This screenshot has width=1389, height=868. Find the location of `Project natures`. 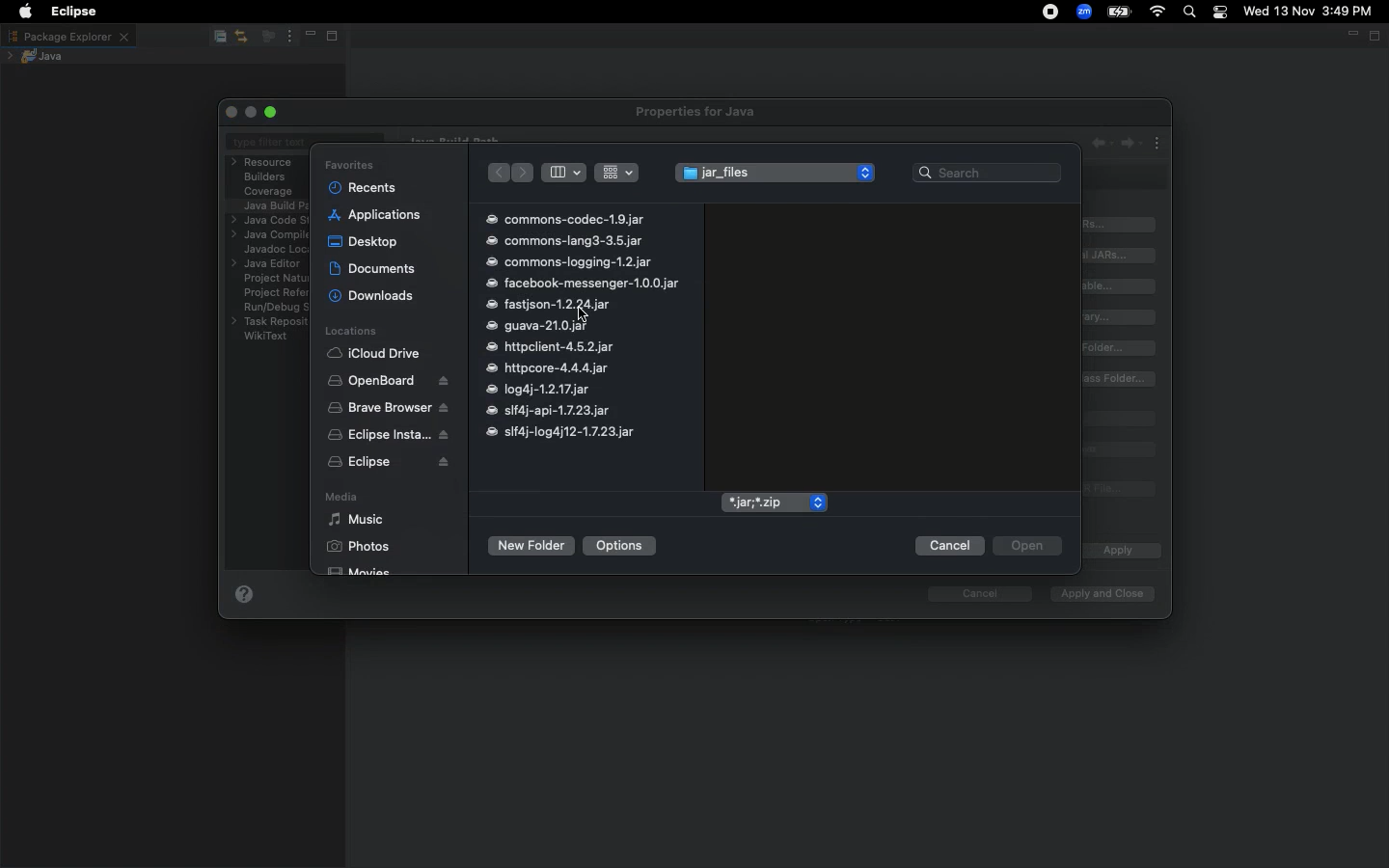

Project natures is located at coordinates (270, 281).